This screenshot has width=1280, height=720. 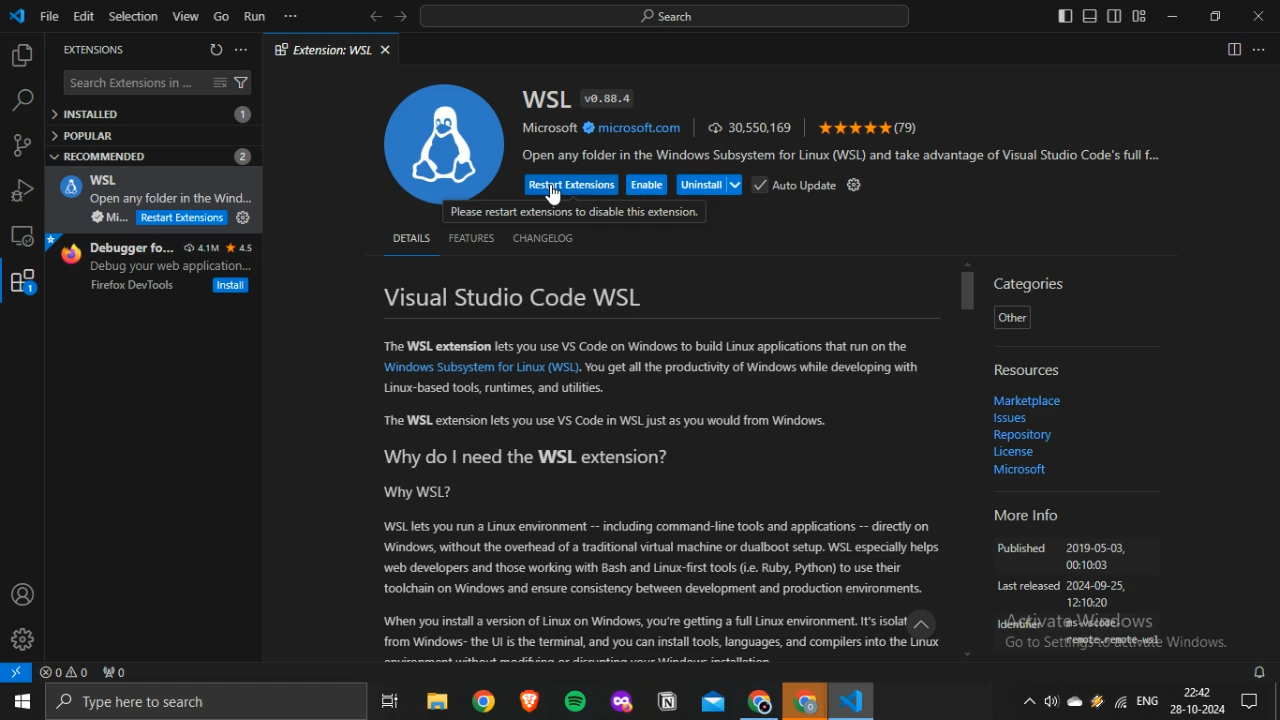 What do you see at coordinates (1111, 642) in the screenshot?
I see `remote, remote -wsl` at bounding box center [1111, 642].